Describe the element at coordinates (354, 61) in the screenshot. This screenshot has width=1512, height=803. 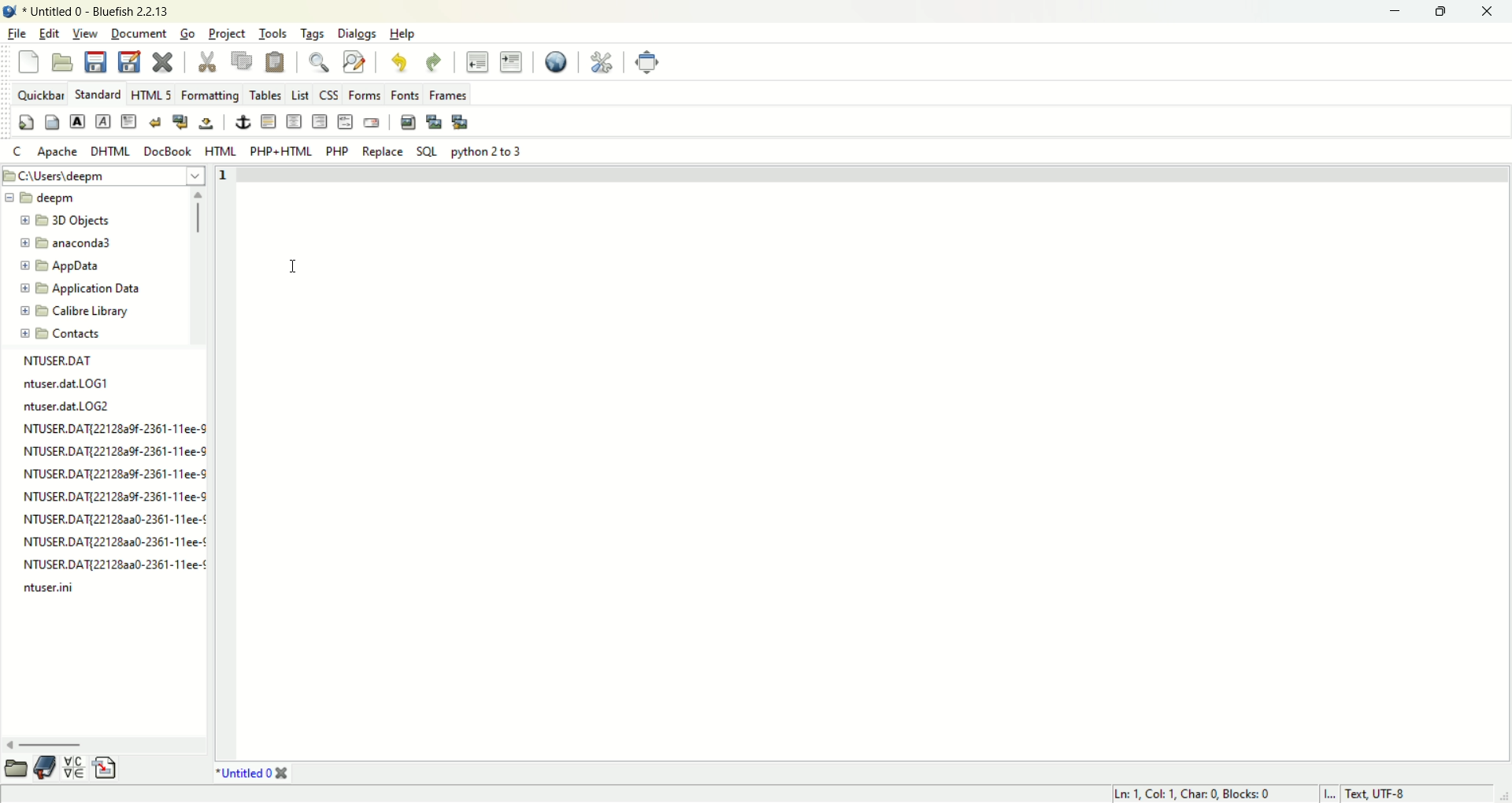
I see `find and replace` at that location.